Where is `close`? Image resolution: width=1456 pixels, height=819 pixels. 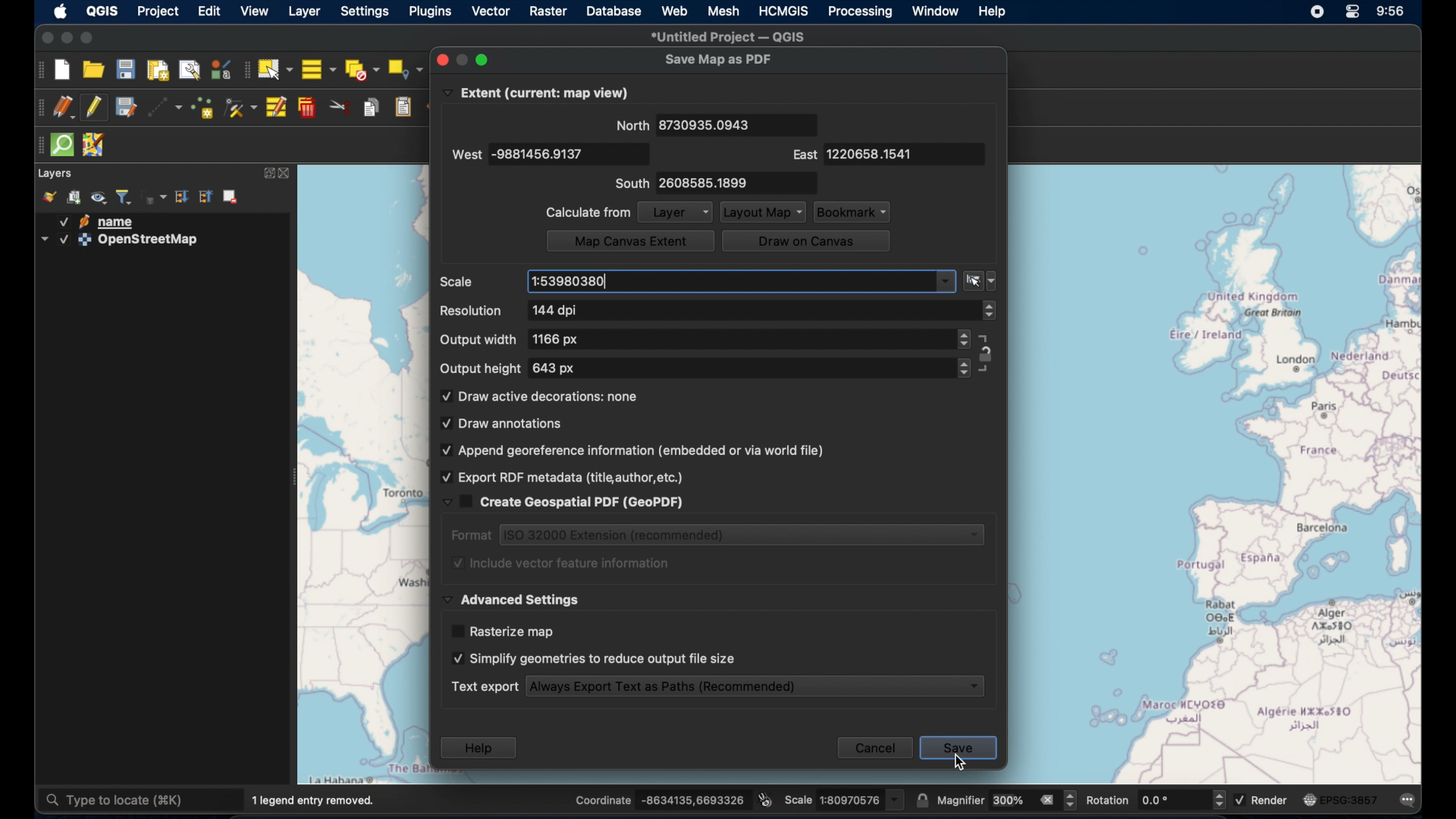 close is located at coordinates (287, 174).